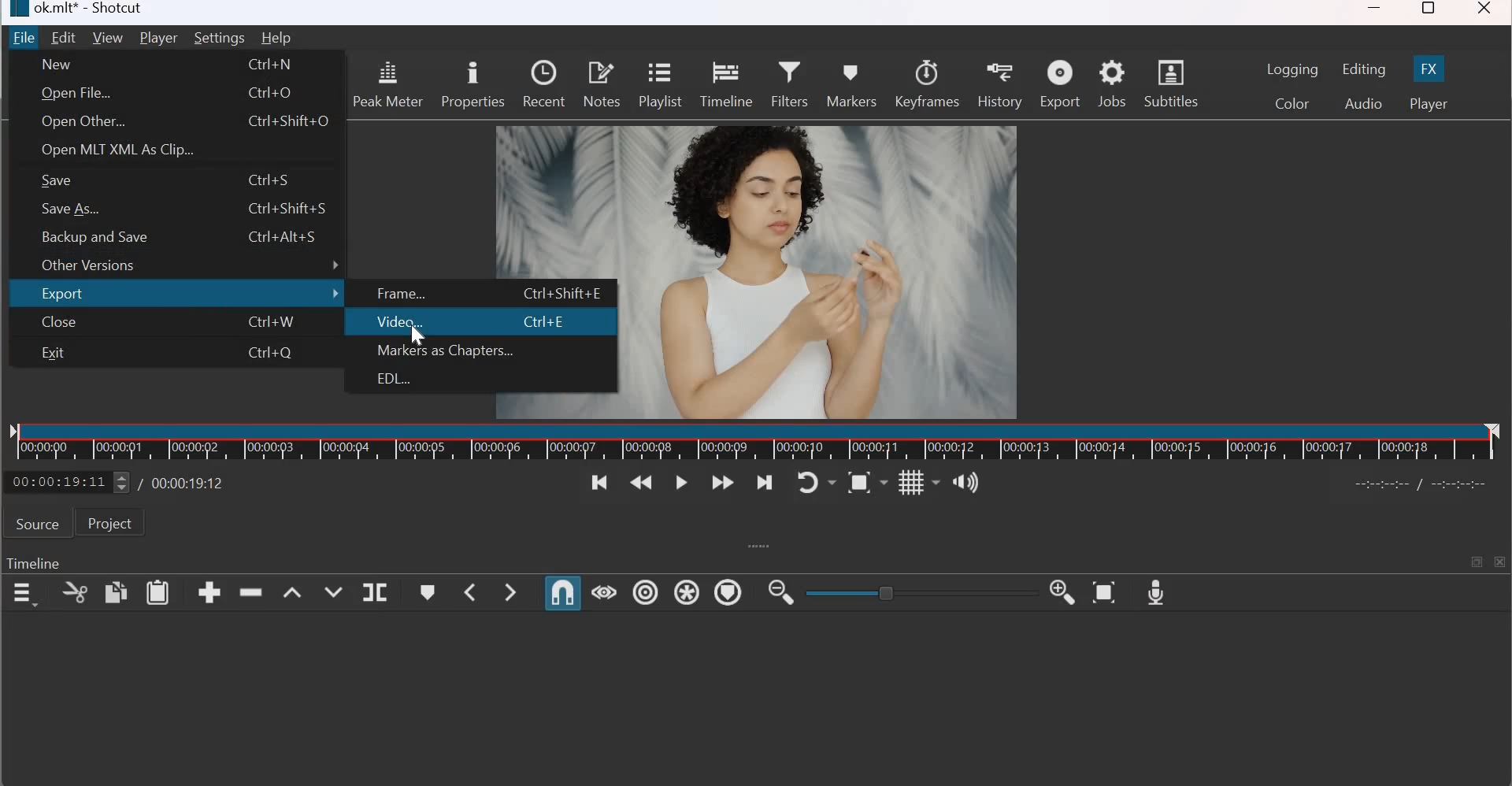  Describe the element at coordinates (36, 524) in the screenshot. I see `Source` at that location.